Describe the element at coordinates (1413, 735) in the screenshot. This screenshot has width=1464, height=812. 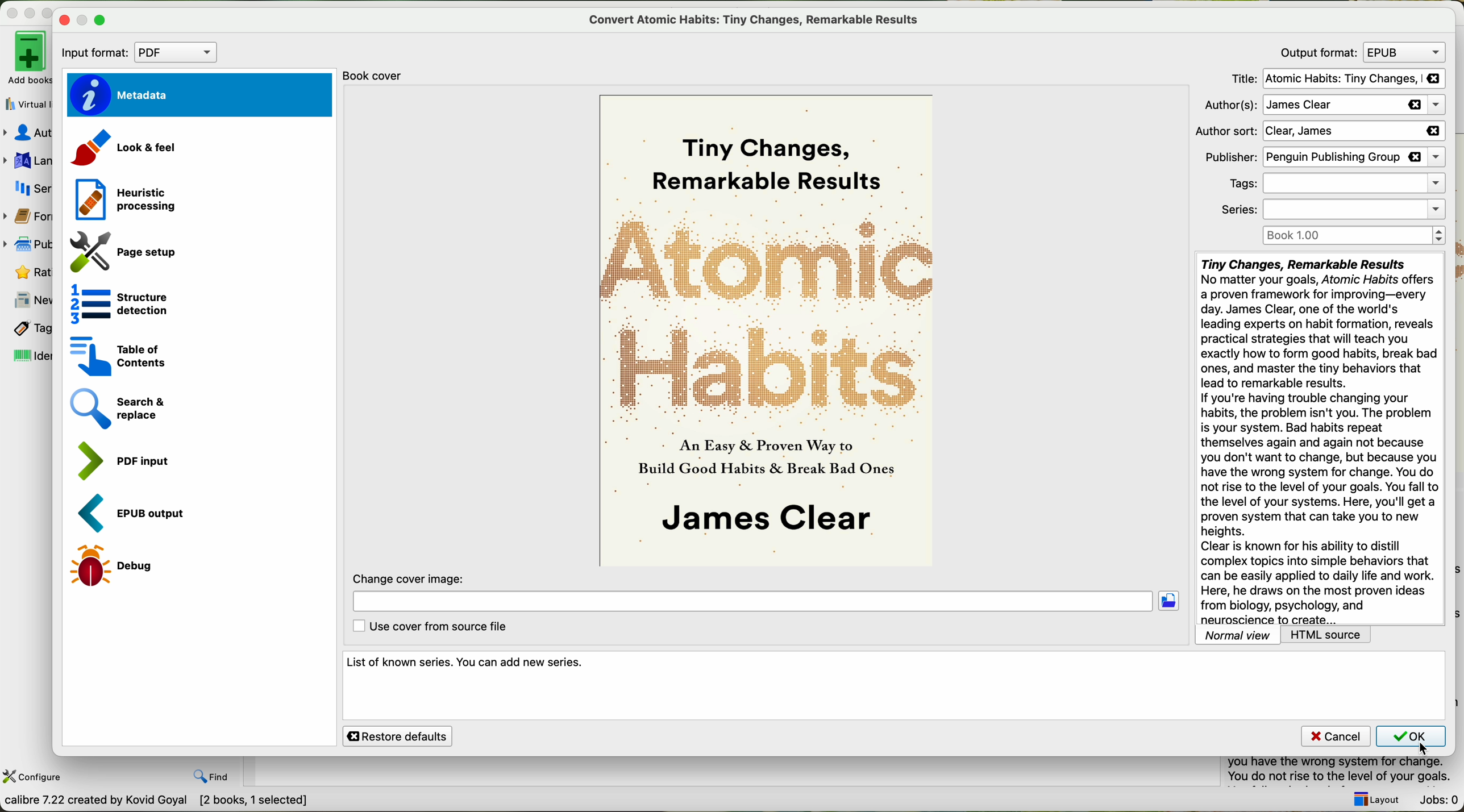
I see `OK` at that location.